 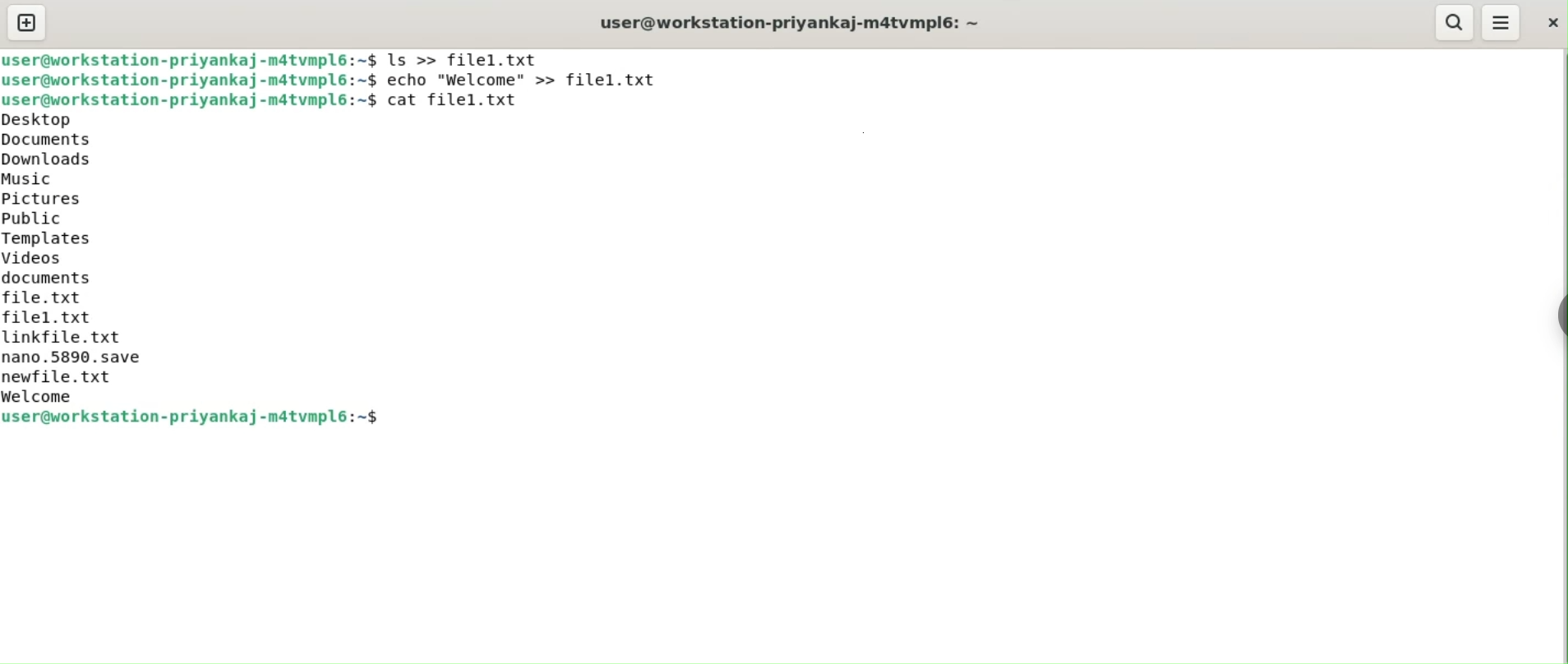 What do you see at coordinates (187, 59) in the screenshot?
I see `user@workstation-priyankaj-m4tvmpl6: ~$` at bounding box center [187, 59].